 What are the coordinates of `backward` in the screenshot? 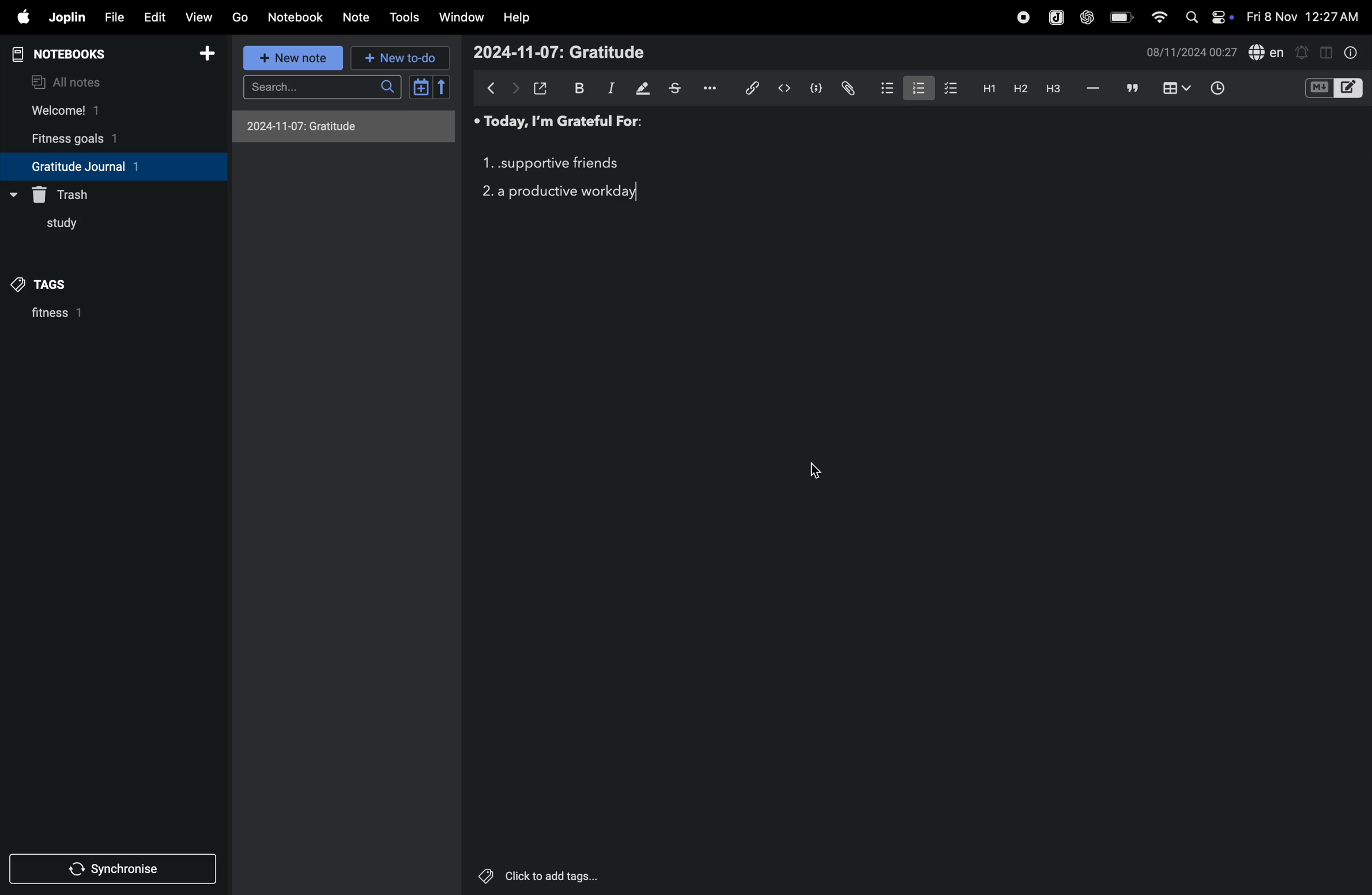 It's located at (492, 88).